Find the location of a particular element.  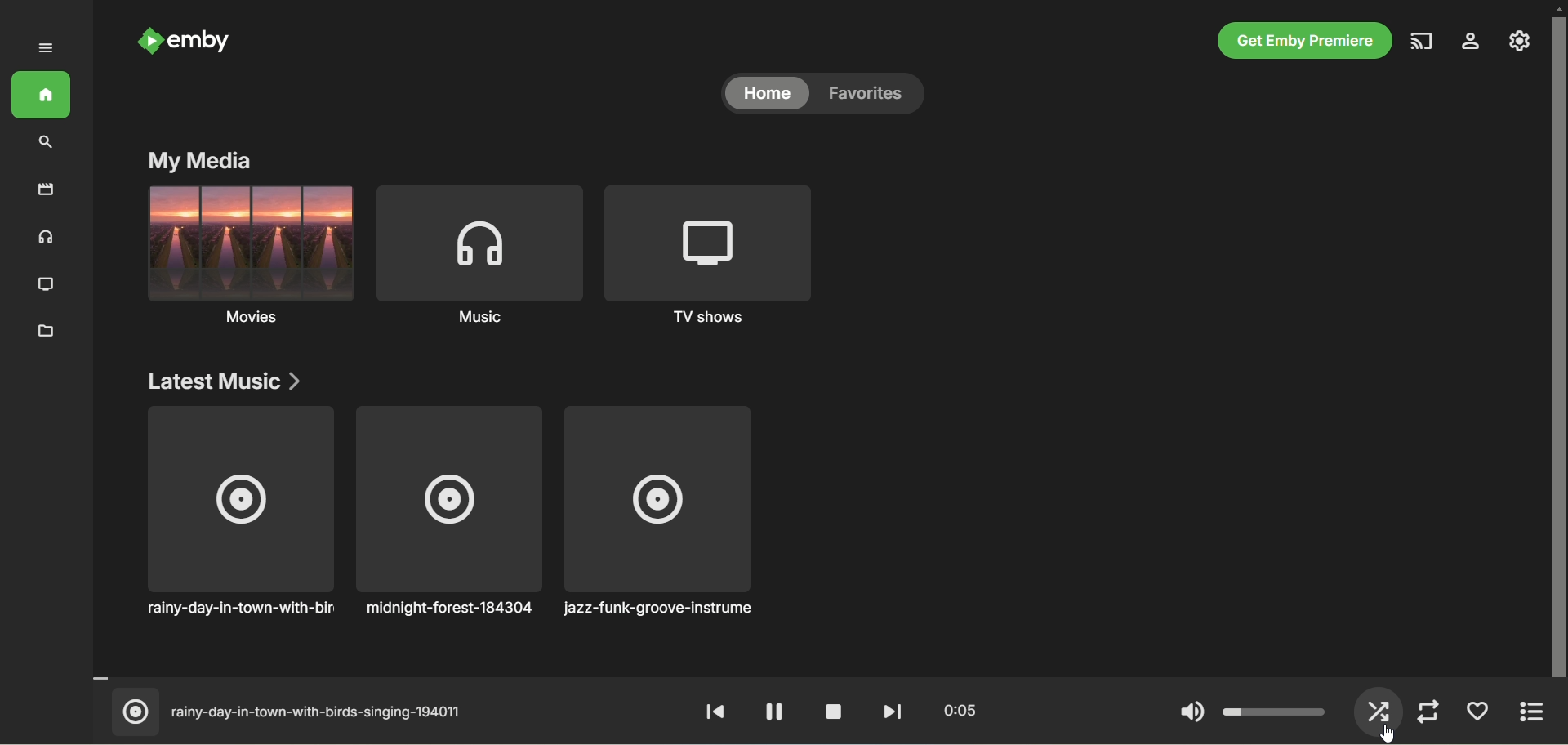

TV shows is located at coordinates (50, 286).